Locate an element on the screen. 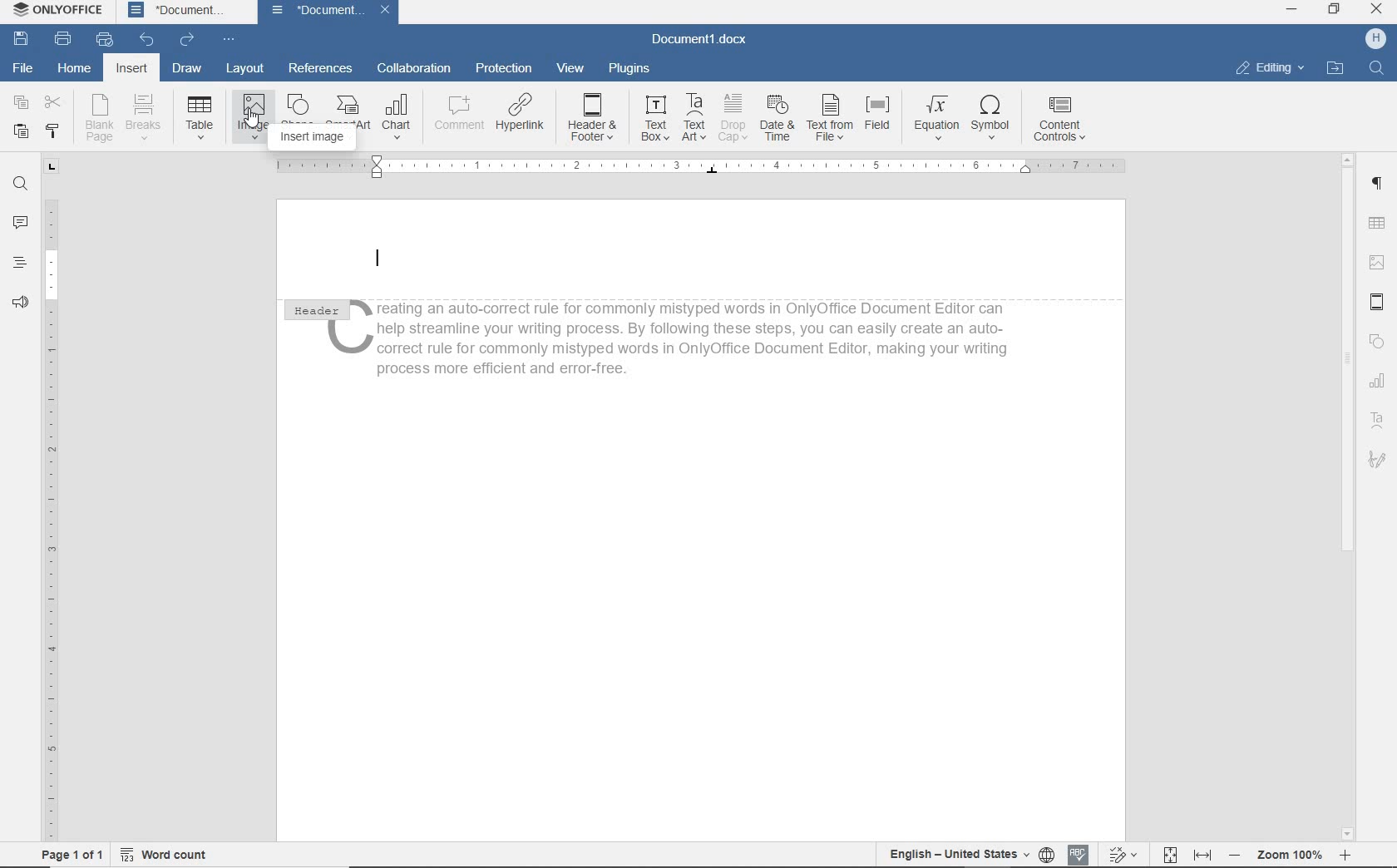 The height and width of the screenshot is (868, 1397). INSERT IMAGE is located at coordinates (321, 136).